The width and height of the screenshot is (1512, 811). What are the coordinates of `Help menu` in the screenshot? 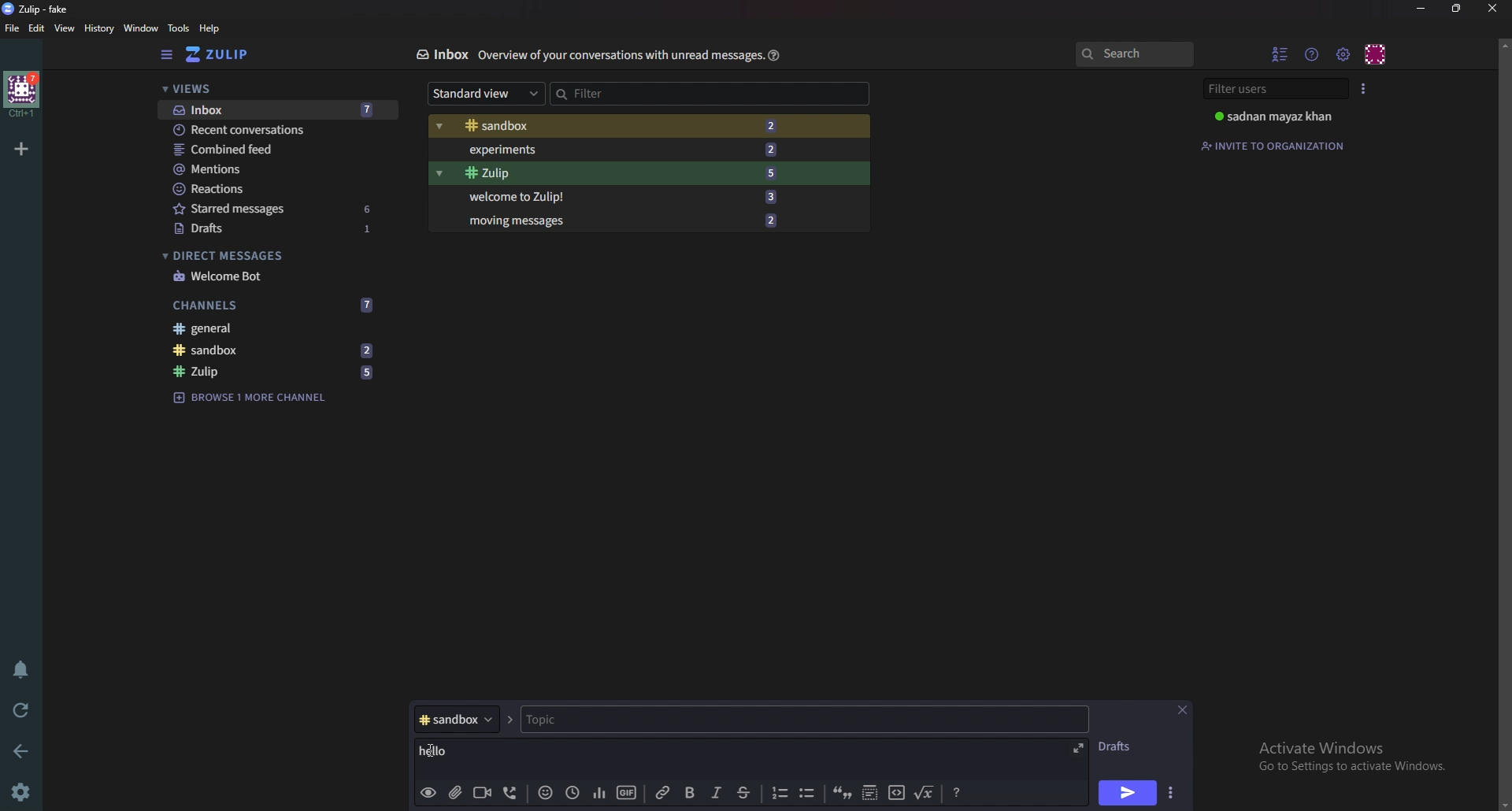 It's located at (1313, 52).